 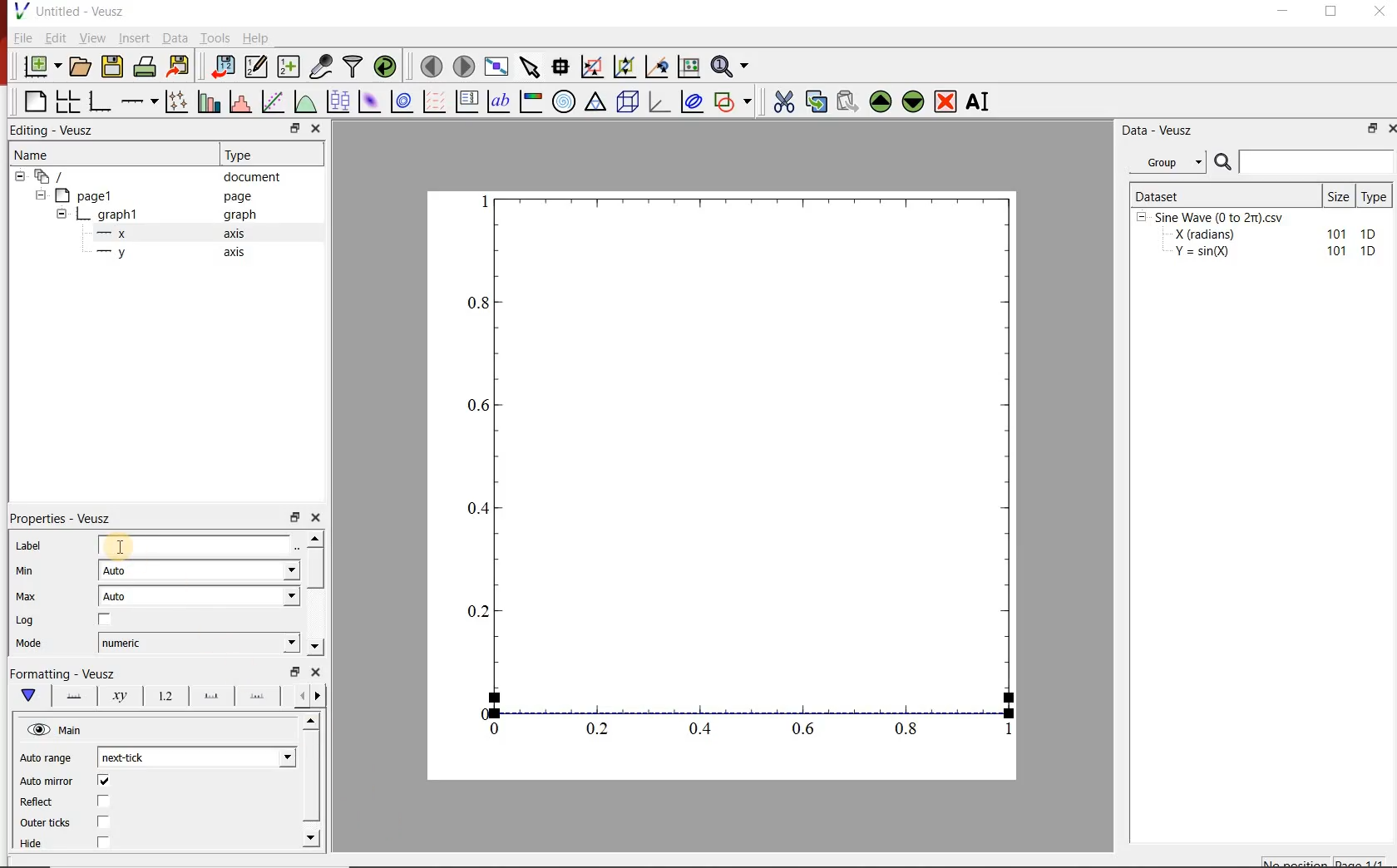 I want to click on down arrow, so click(x=27, y=696).